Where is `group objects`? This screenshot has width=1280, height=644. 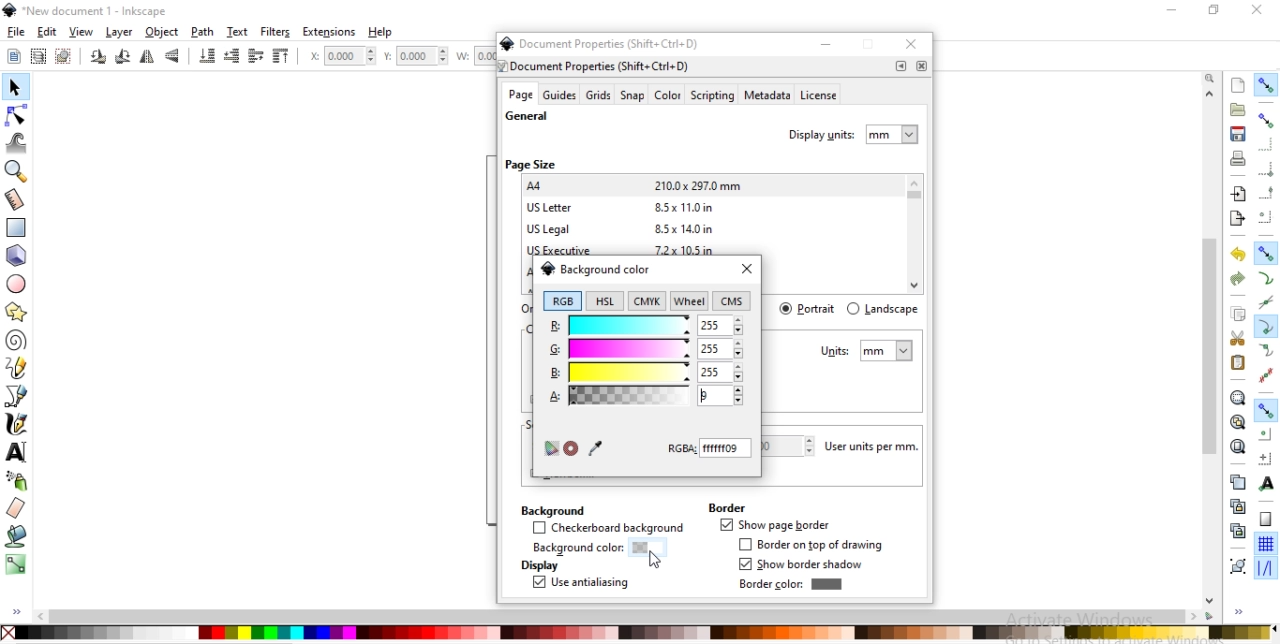
group objects is located at coordinates (1236, 566).